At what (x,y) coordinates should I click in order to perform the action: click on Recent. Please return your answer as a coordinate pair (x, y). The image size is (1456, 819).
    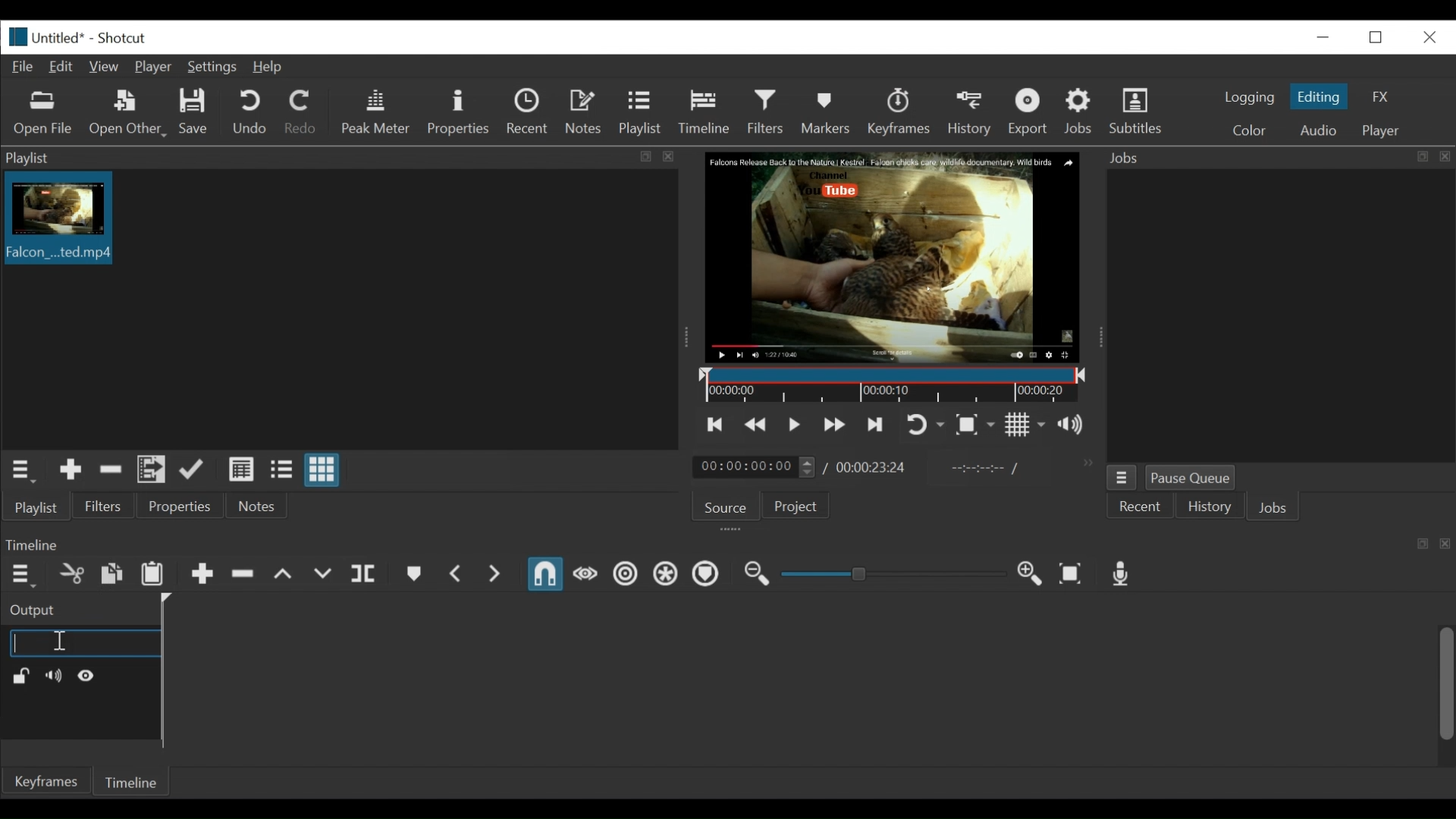
    Looking at the image, I should click on (529, 113).